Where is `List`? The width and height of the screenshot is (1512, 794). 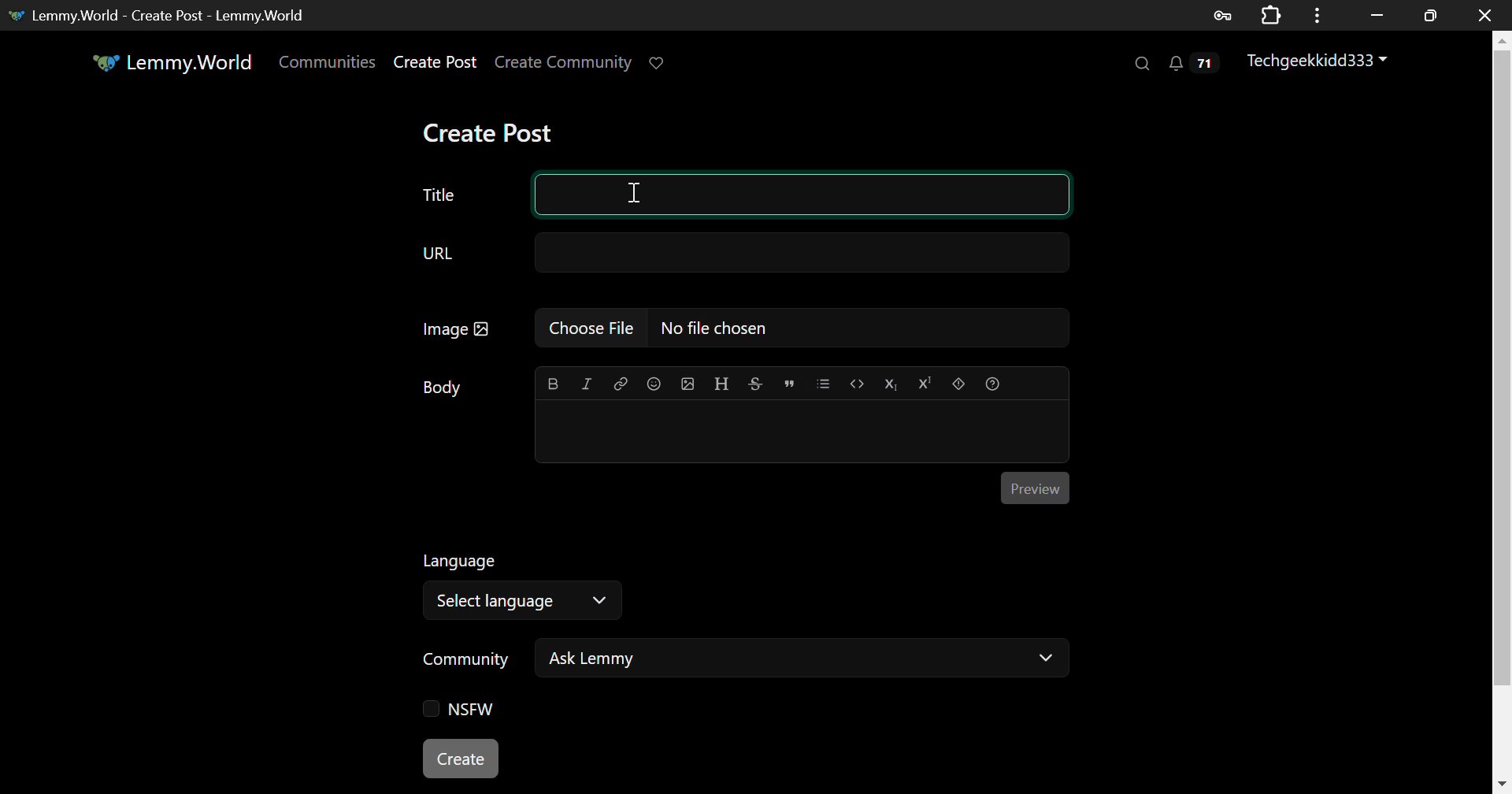 List is located at coordinates (823, 384).